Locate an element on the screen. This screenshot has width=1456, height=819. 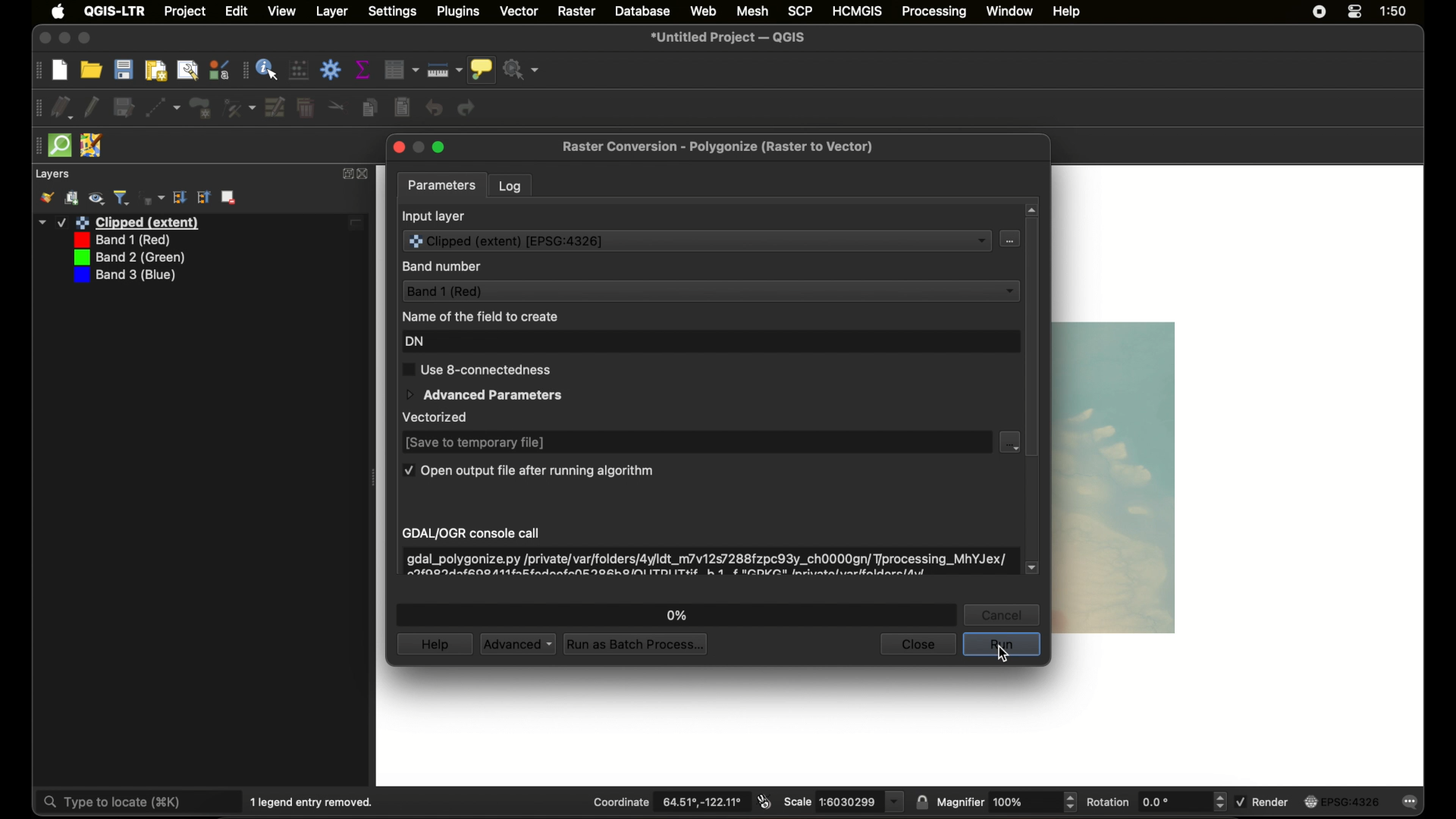
current crs is located at coordinates (1340, 802).